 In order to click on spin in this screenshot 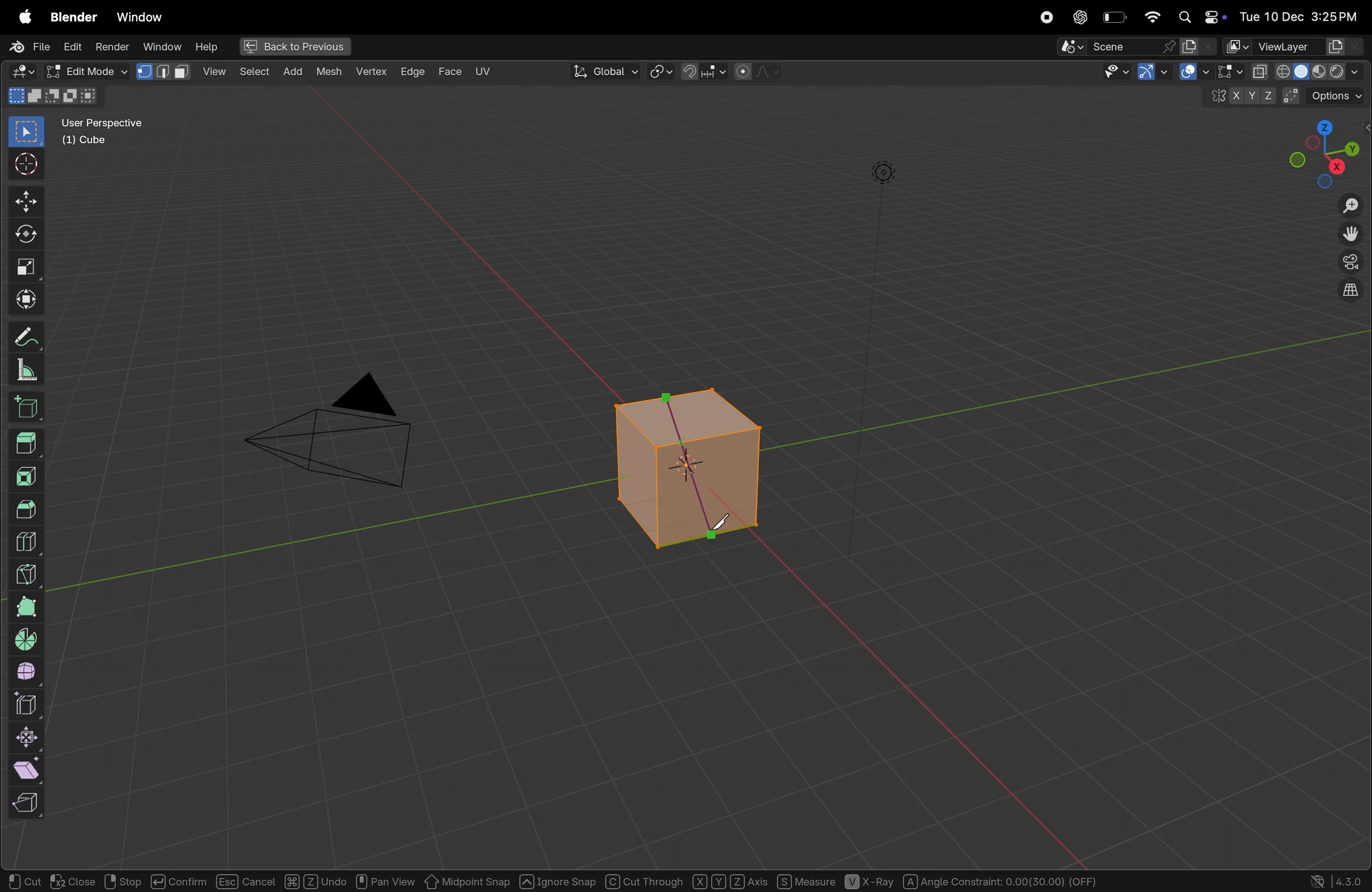, I will do `click(26, 640)`.